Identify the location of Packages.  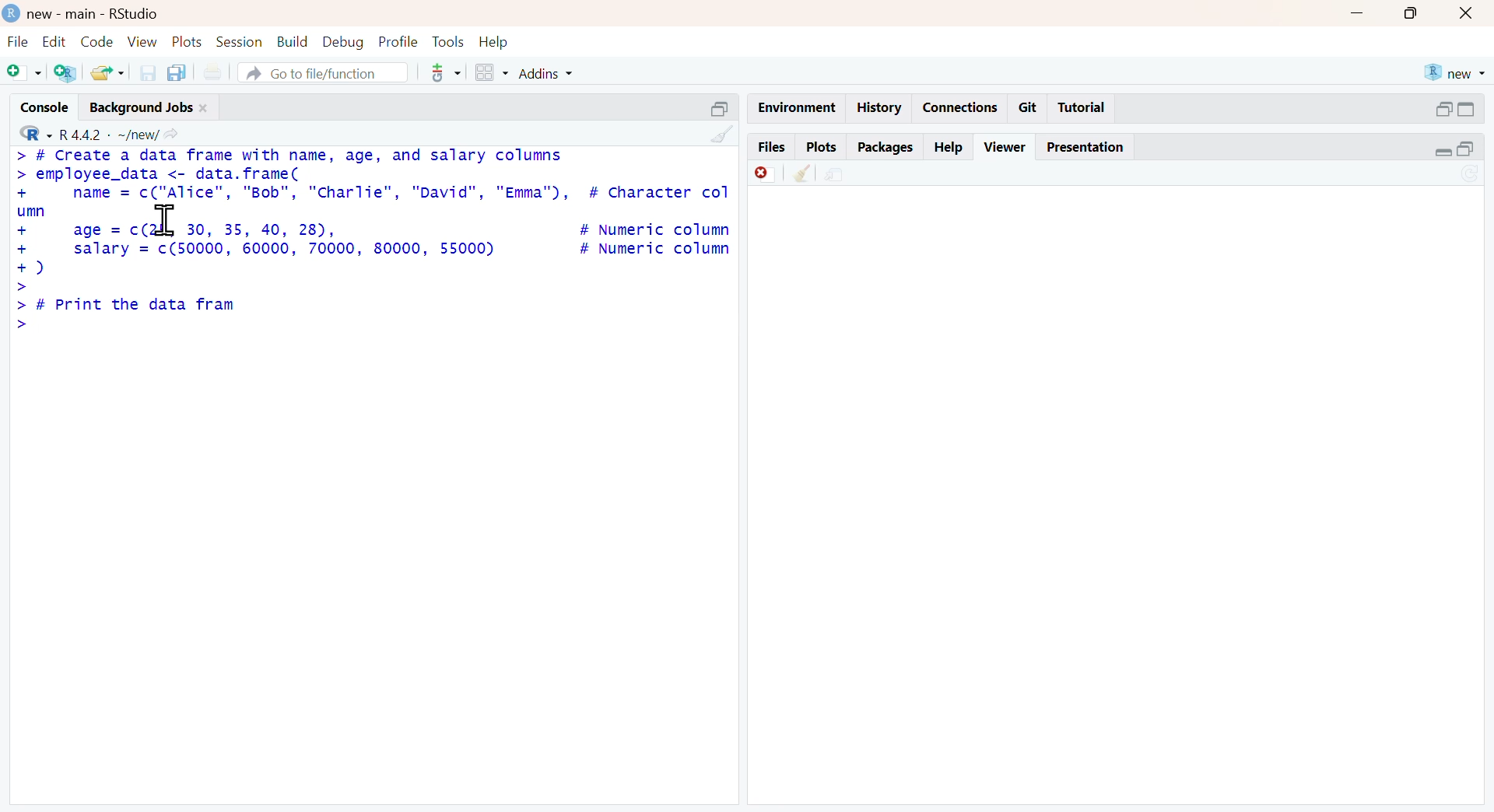
(886, 145).